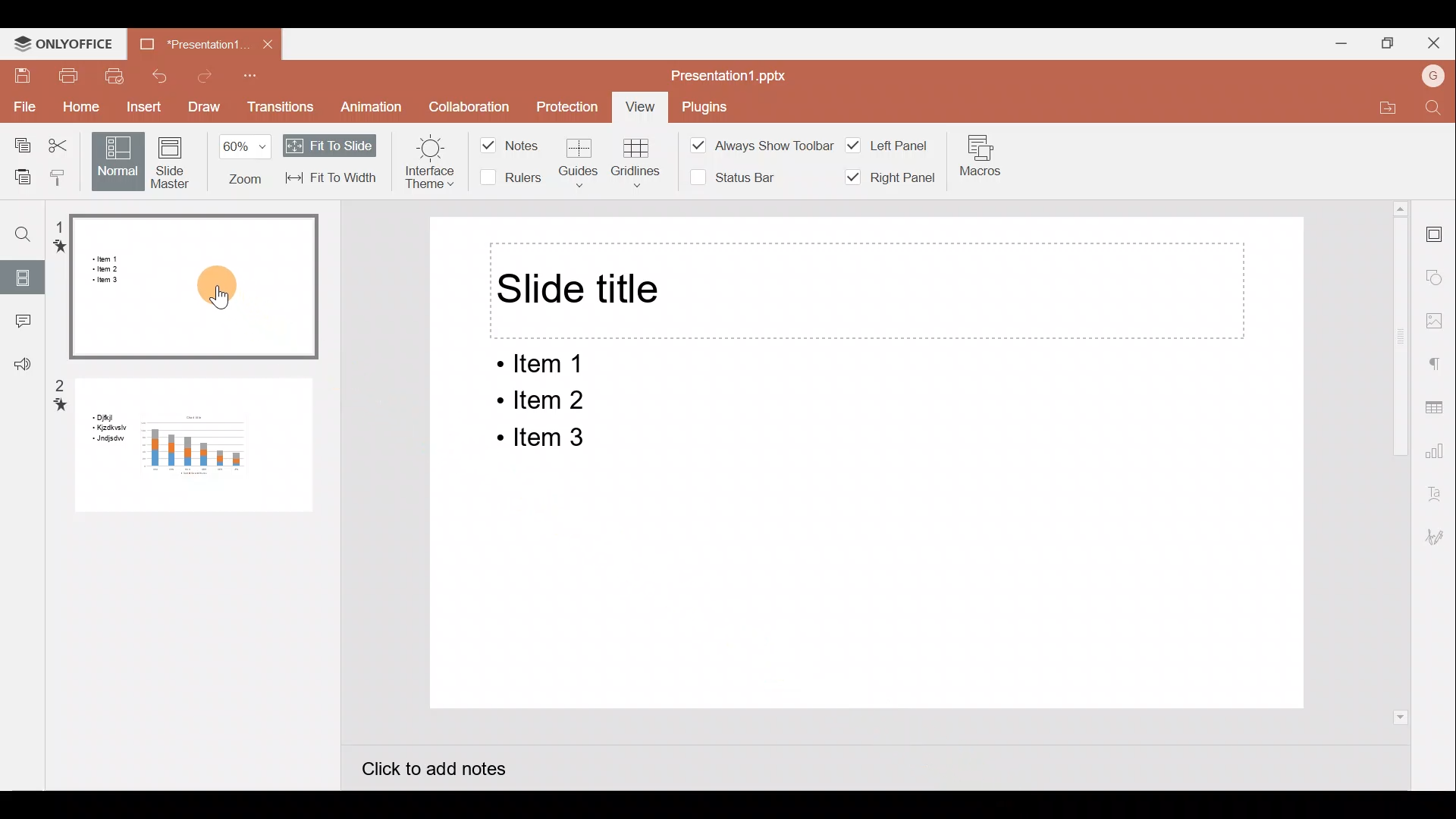 Image resolution: width=1456 pixels, height=819 pixels. What do you see at coordinates (1439, 362) in the screenshot?
I see `Paragraph settings` at bounding box center [1439, 362].